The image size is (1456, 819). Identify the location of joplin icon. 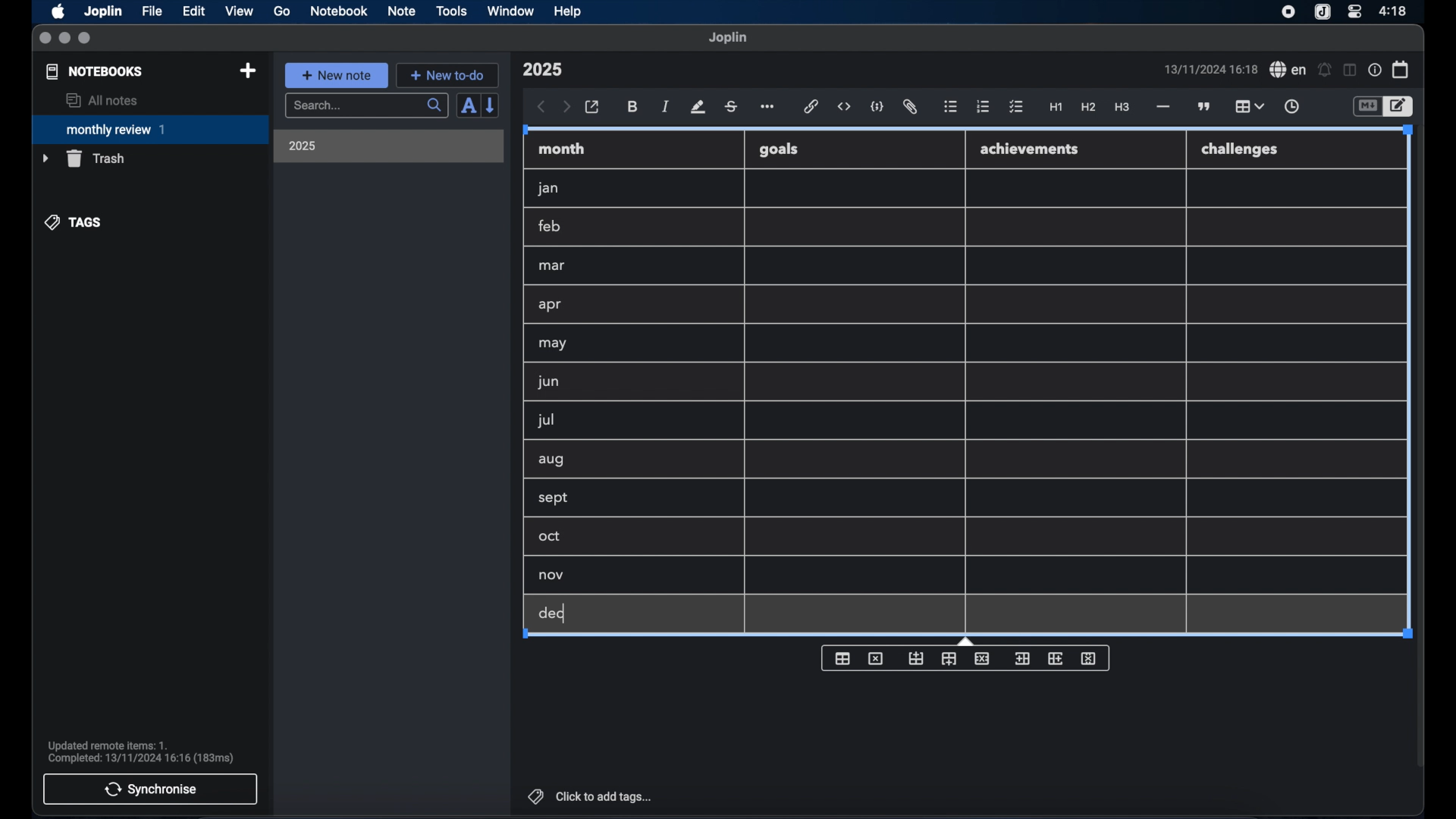
(1321, 13).